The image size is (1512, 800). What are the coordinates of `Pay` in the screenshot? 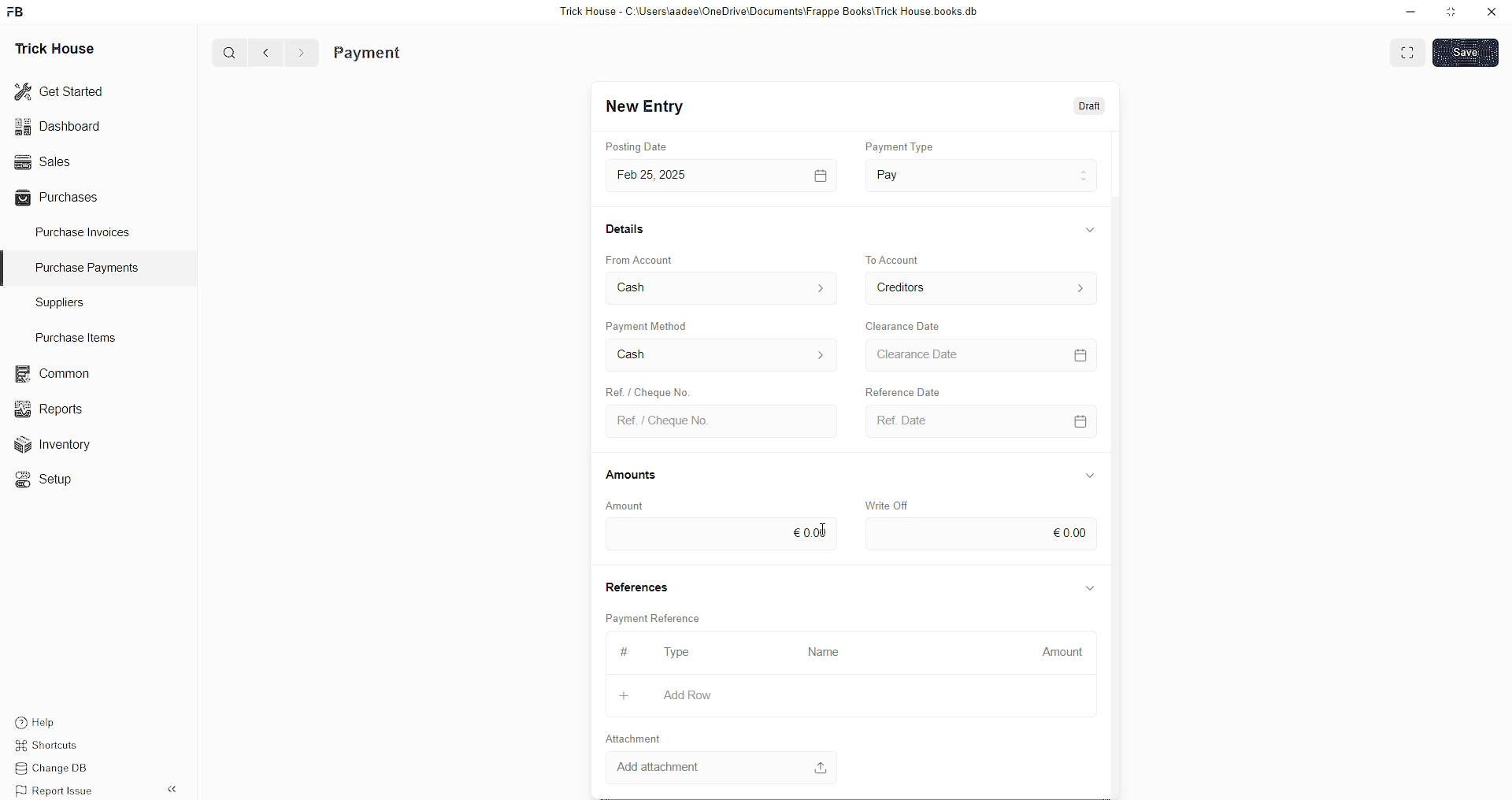 It's located at (913, 174).